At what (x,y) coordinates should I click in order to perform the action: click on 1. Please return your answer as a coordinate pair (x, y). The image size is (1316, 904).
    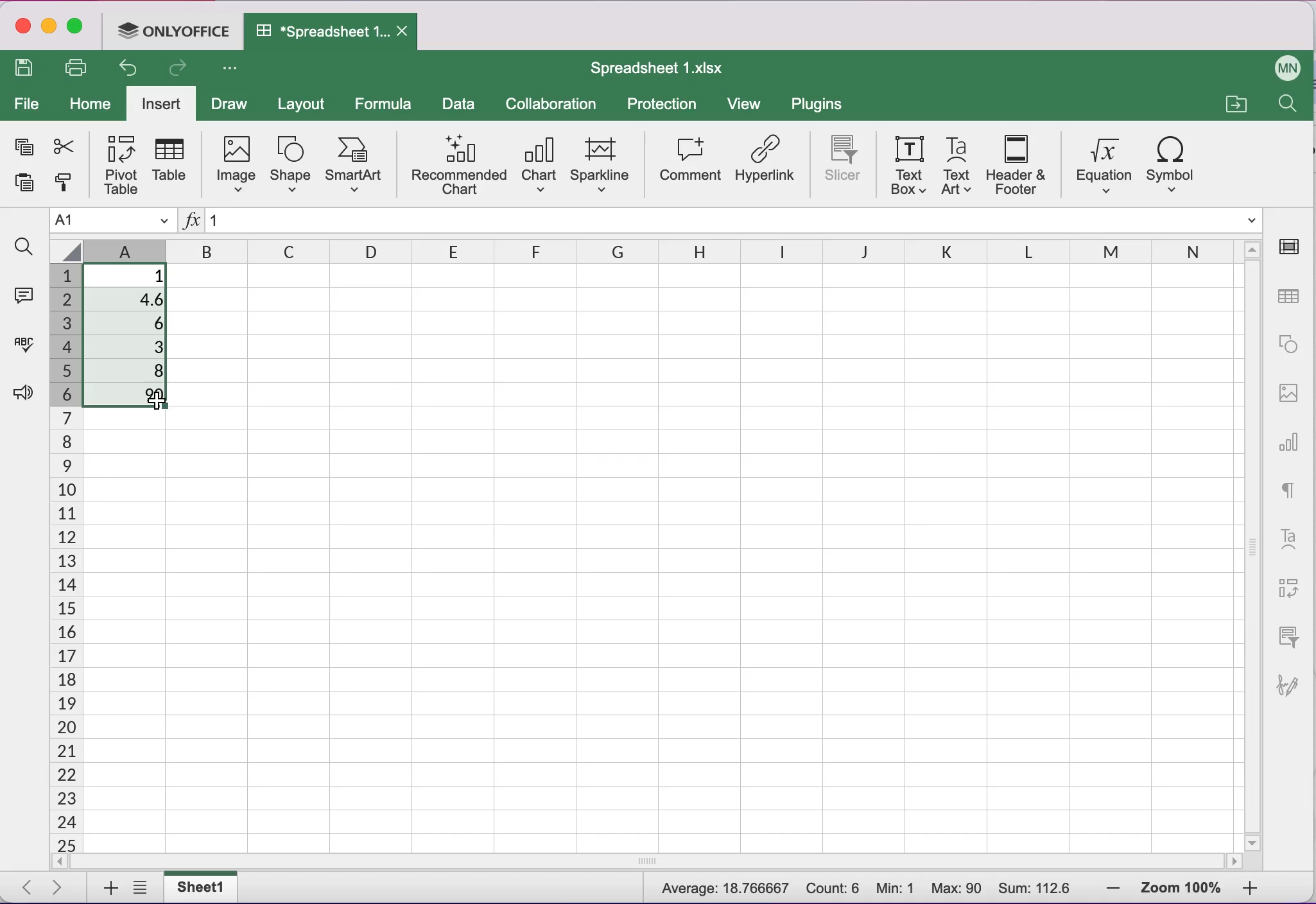
    Looking at the image, I should click on (218, 220).